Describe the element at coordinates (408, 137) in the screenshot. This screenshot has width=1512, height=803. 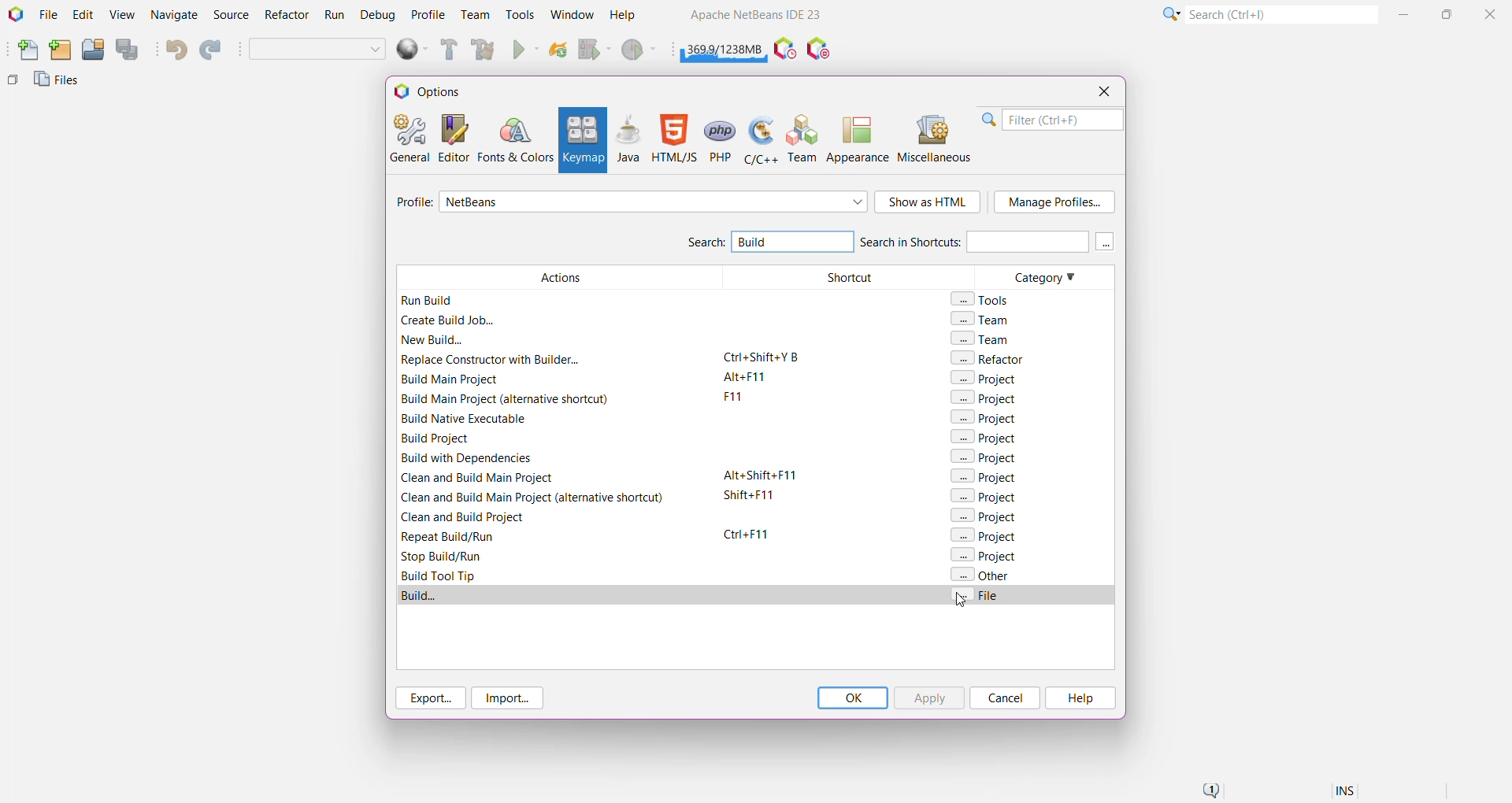
I see `General` at that location.